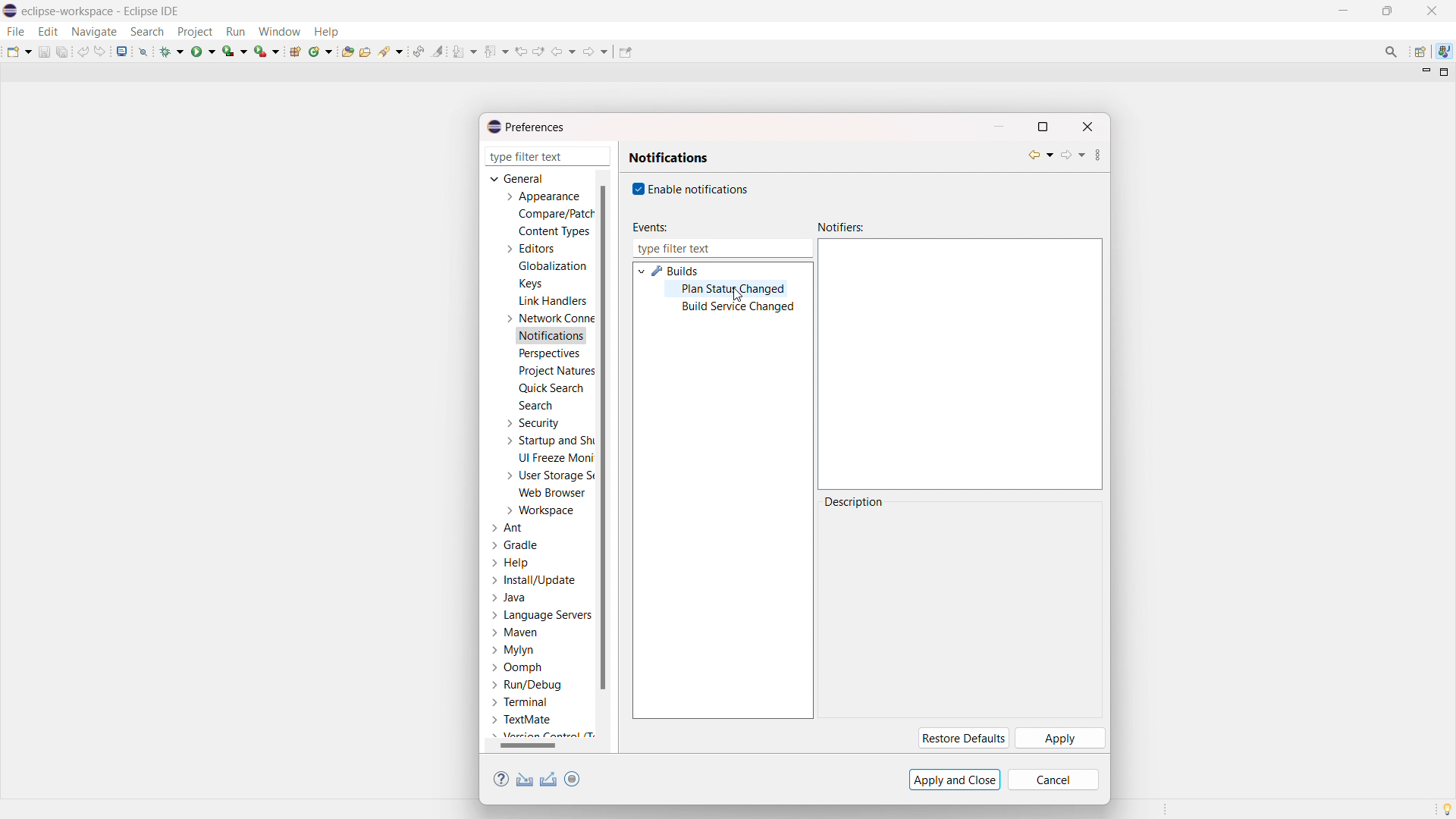  Describe the element at coordinates (102, 11) in the screenshot. I see `title` at that location.